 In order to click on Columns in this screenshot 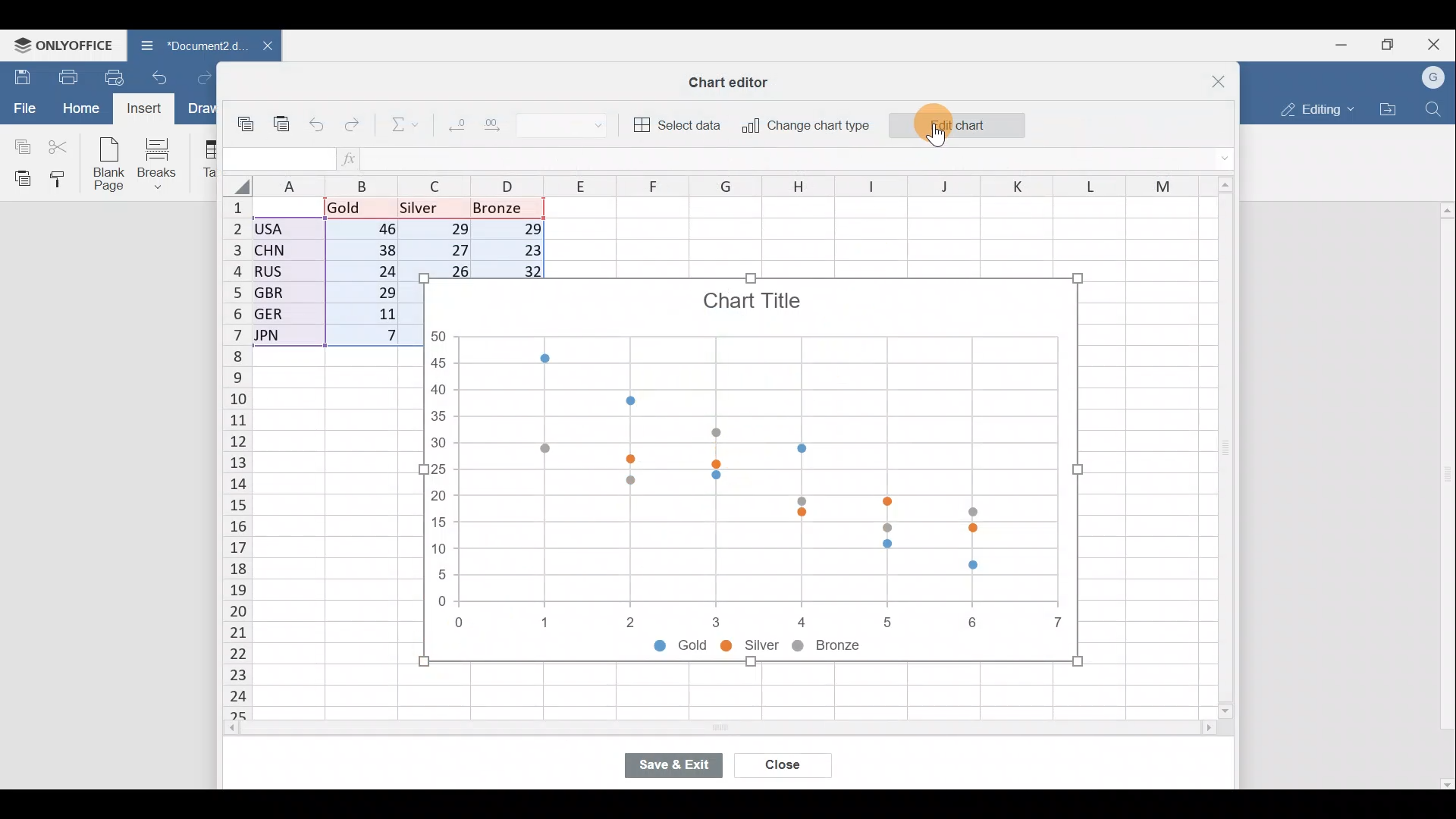, I will do `click(701, 187)`.